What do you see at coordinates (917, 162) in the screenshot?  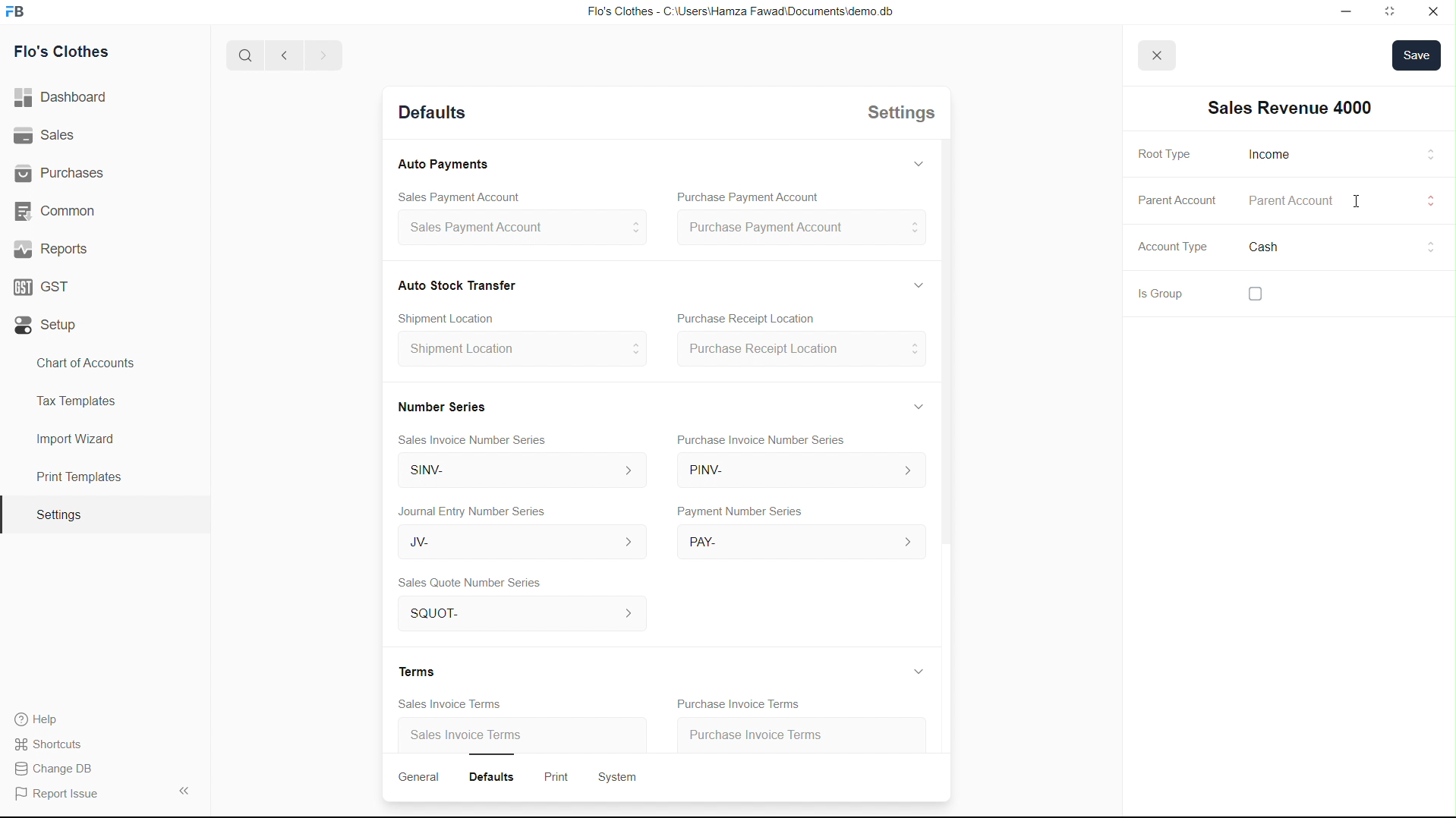 I see `Hide ` at bounding box center [917, 162].